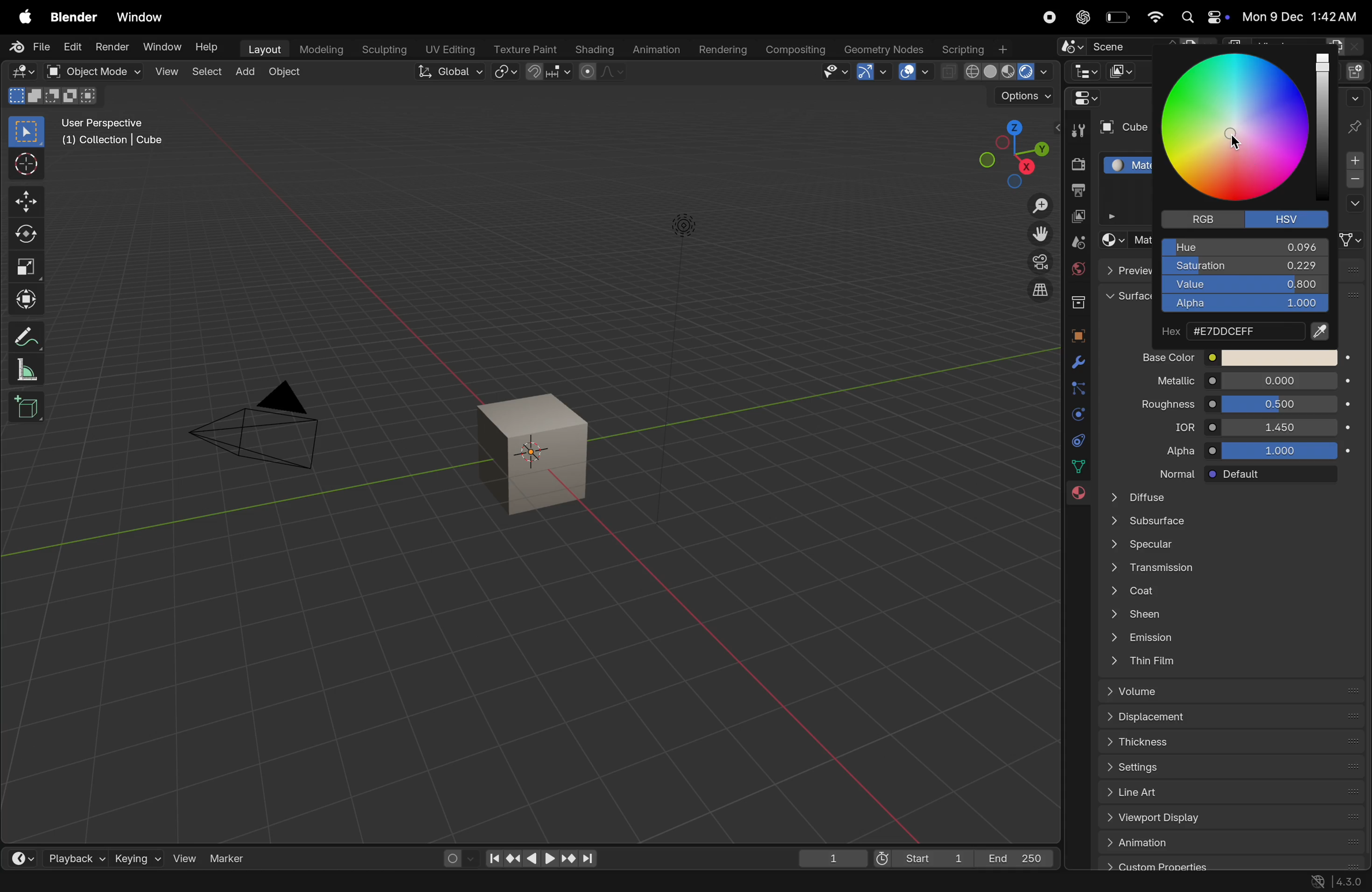 Image resolution: width=1372 pixels, height=892 pixels. What do you see at coordinates (796, 50) in the screenshot?
I see `composting` at bounding box center [796, 50].